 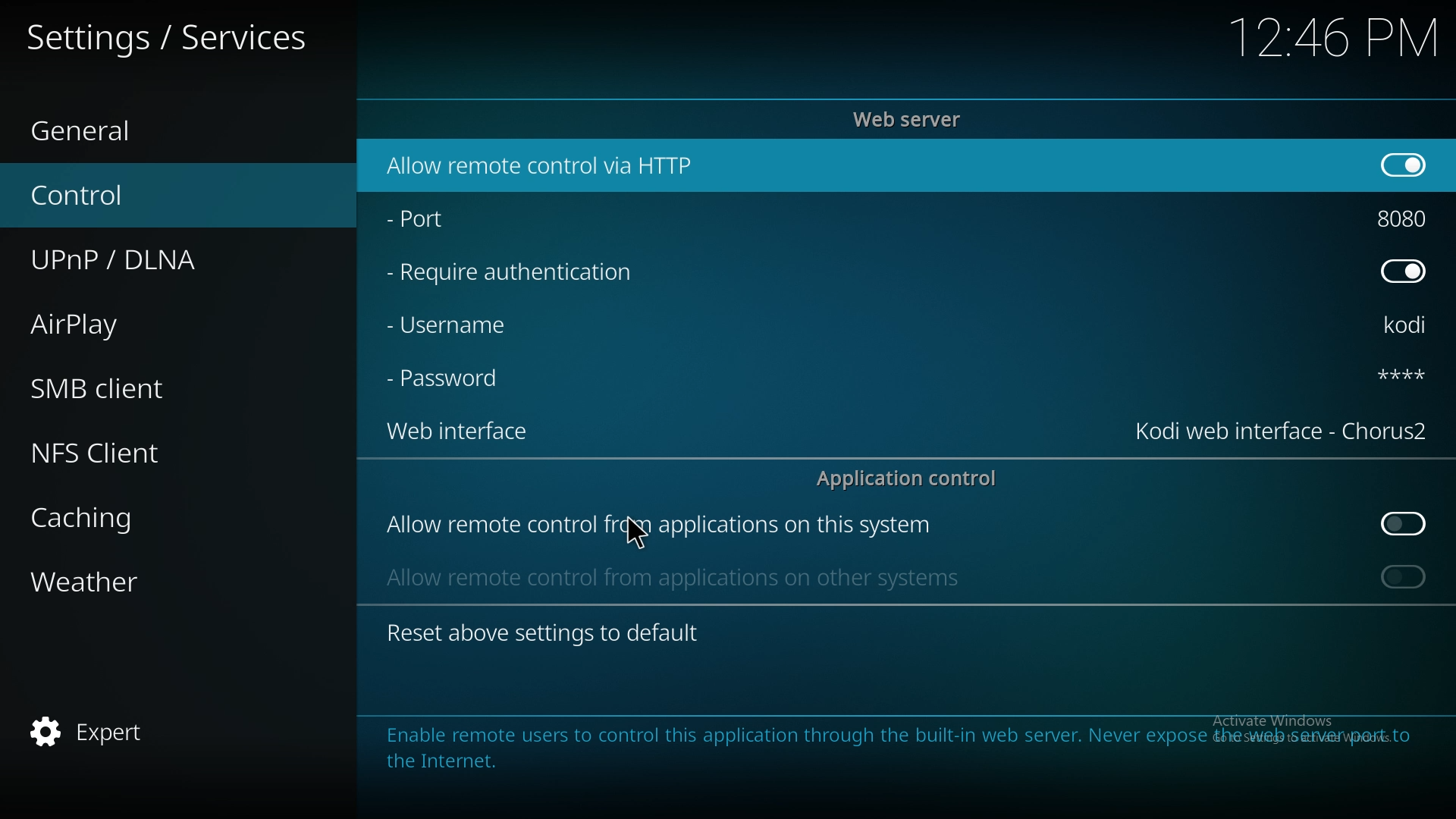 What do you see at coordinates (124, 453) in the screenshot?
I see `nfs client` at bounding box center [124, 453].